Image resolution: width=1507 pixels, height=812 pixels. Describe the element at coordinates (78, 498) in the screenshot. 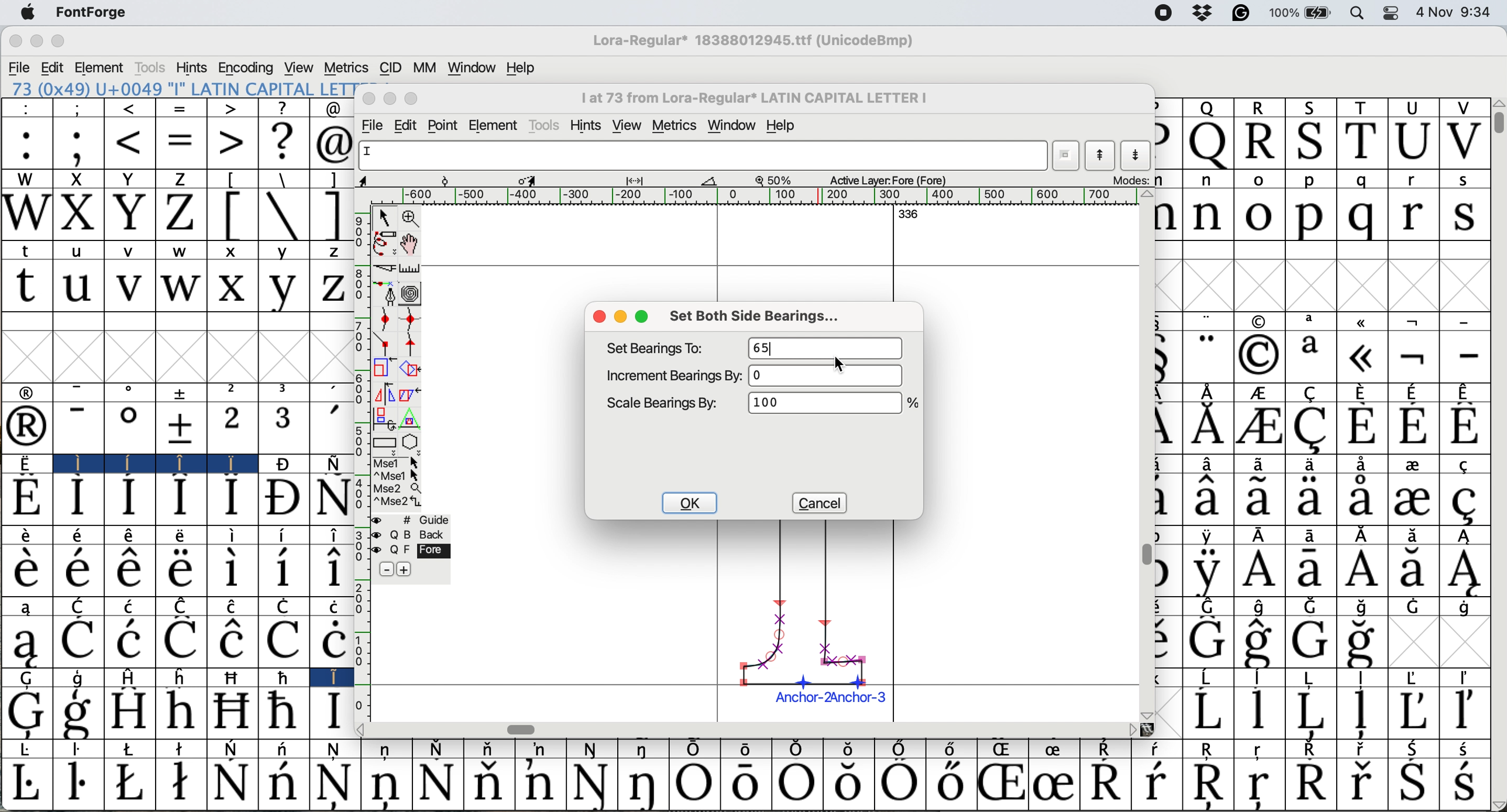

I see `Symbol` at that location.